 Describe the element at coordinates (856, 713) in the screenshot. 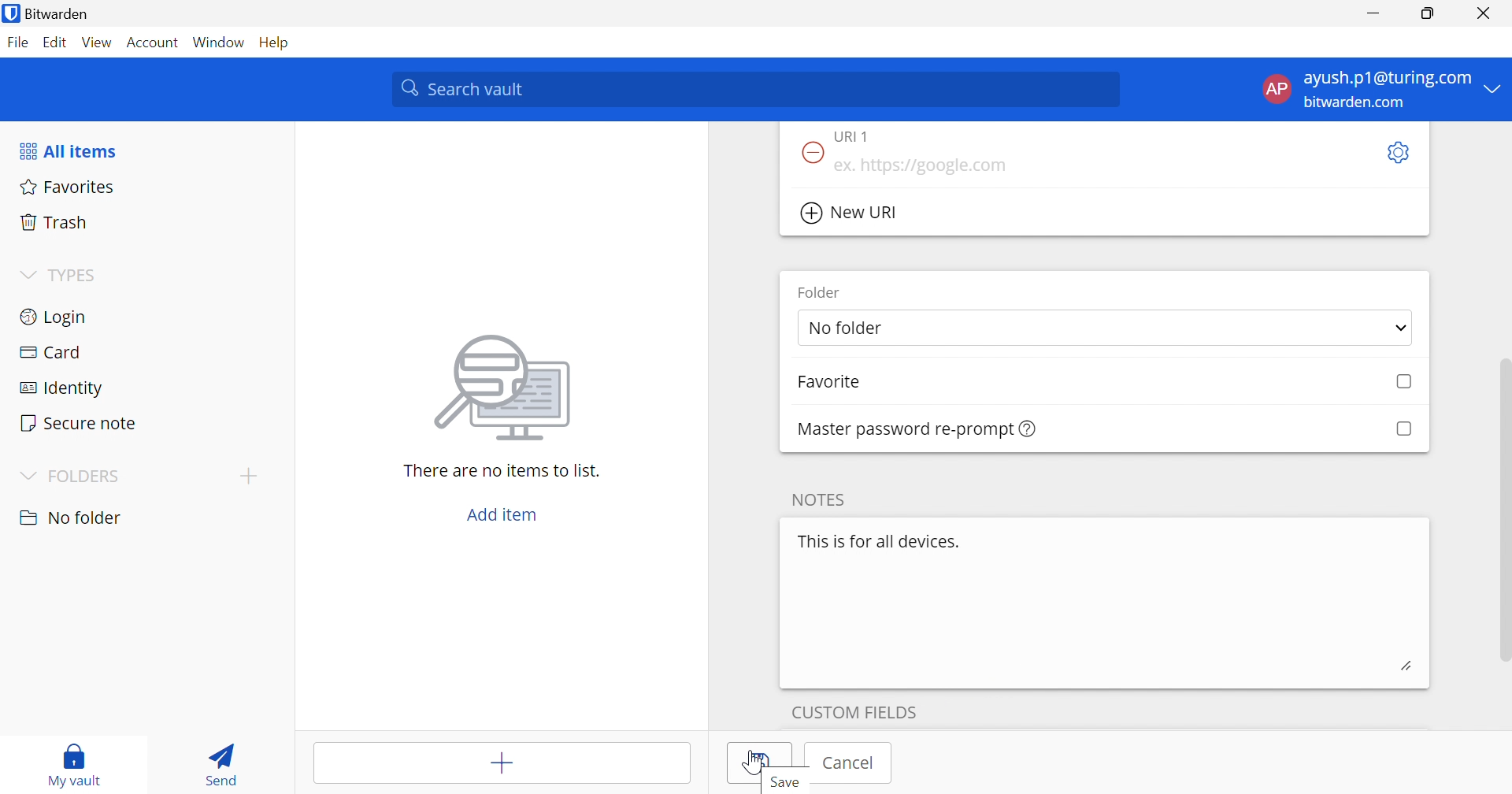

I see `custom fields` at that location.